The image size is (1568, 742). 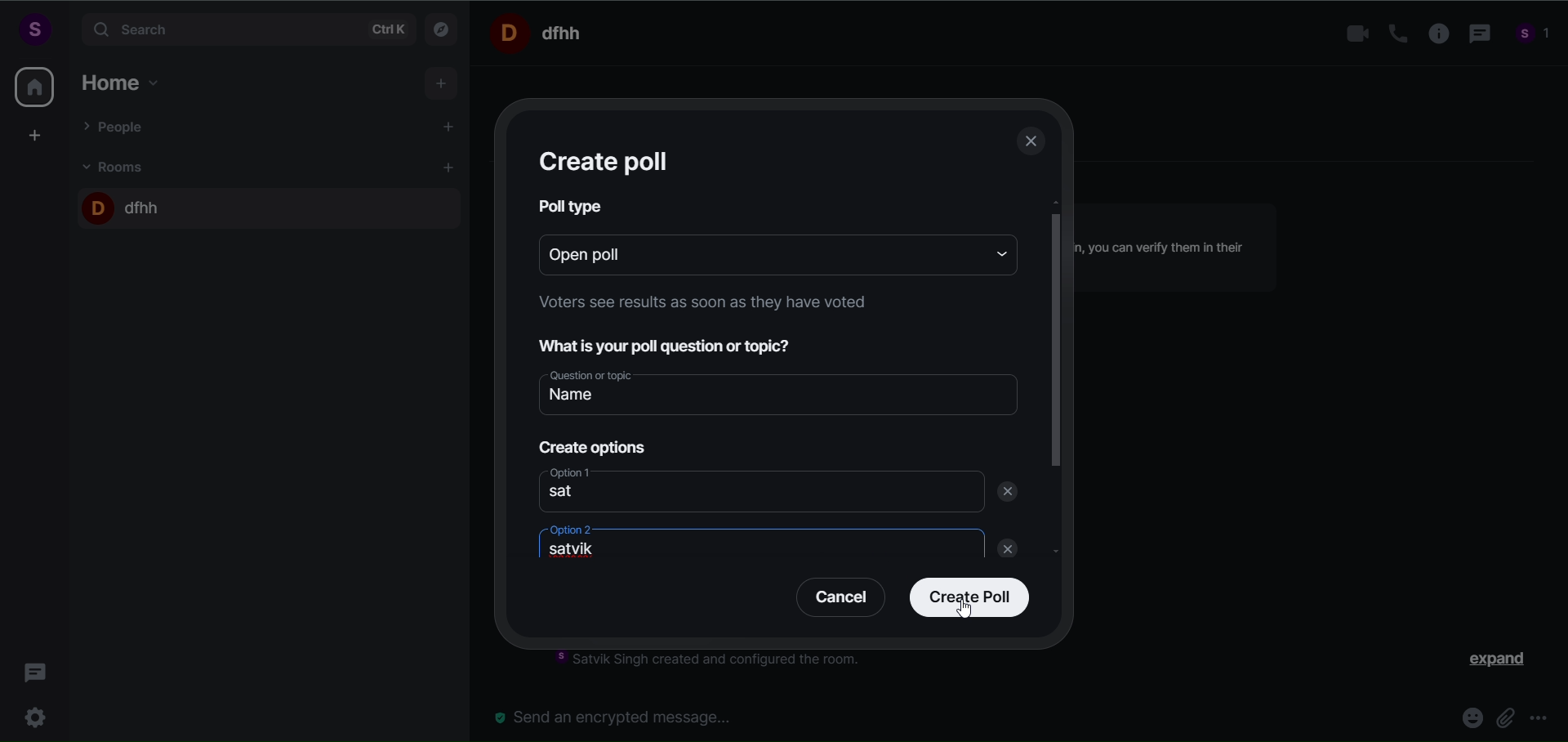 What do you see at coordinates (777, 392) in the screenshot?
I see `question or topic` at bounding box center [777, 392].